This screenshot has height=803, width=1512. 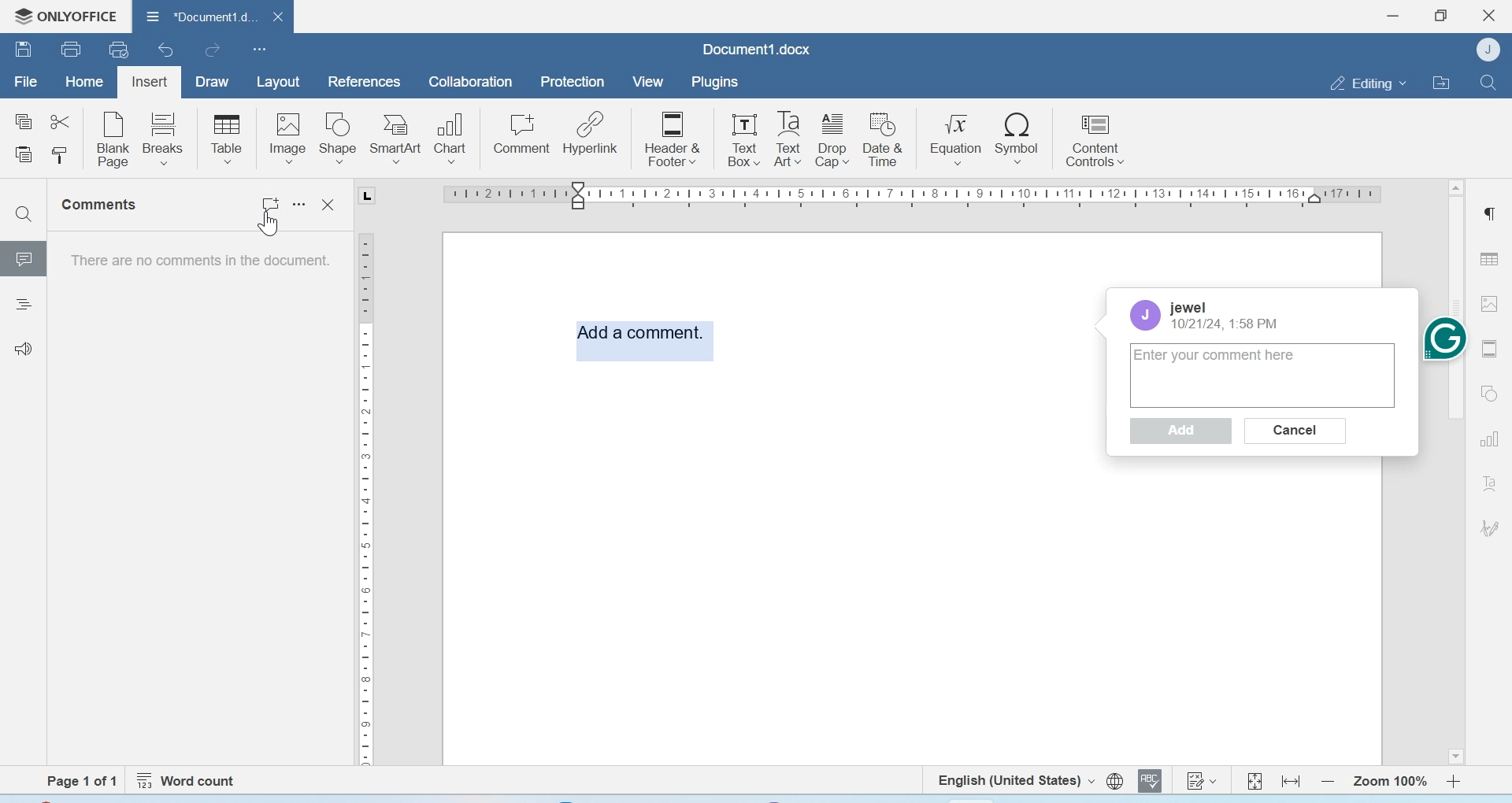 What do you see at coordinates (260, 49) in the screenshot?
I see `customize quick access toolbar` at bounding box center [260, 49].